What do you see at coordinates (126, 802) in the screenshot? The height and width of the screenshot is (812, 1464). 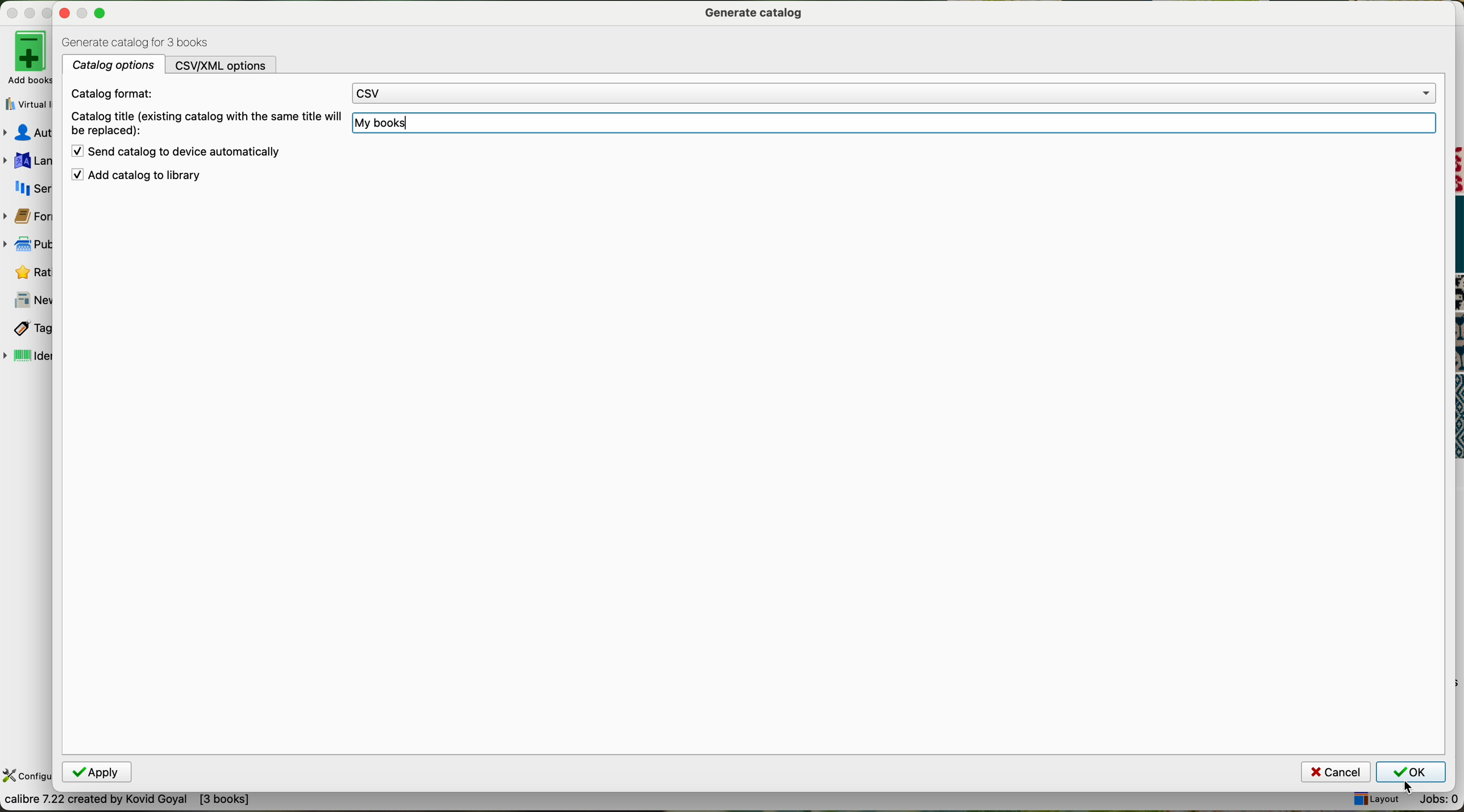 I see `convert books between different e-book formats` at bounding box center [126, 802].